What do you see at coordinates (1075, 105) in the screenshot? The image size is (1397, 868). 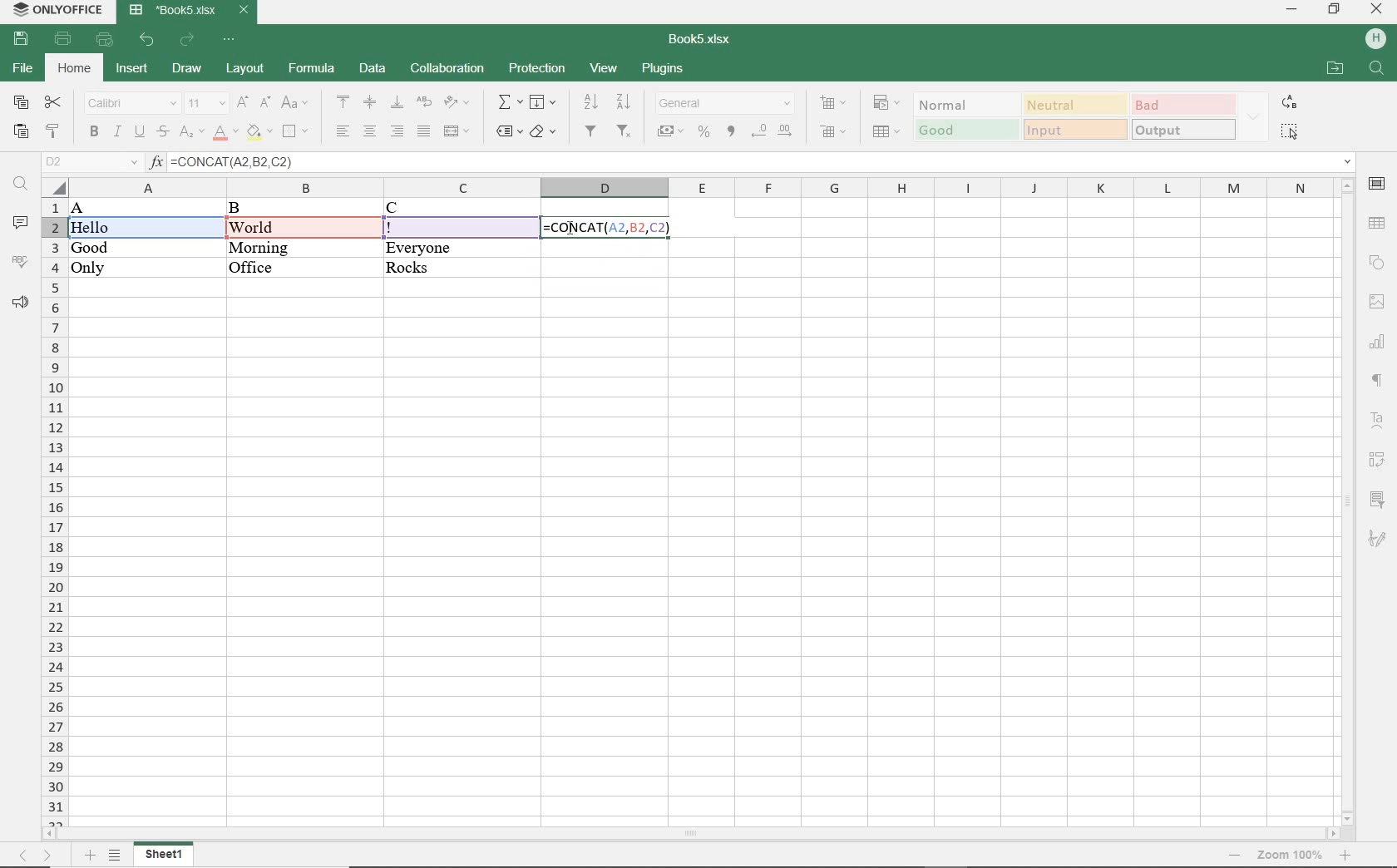 I see `NEUTRAL` at bounding box center [1075, 105].